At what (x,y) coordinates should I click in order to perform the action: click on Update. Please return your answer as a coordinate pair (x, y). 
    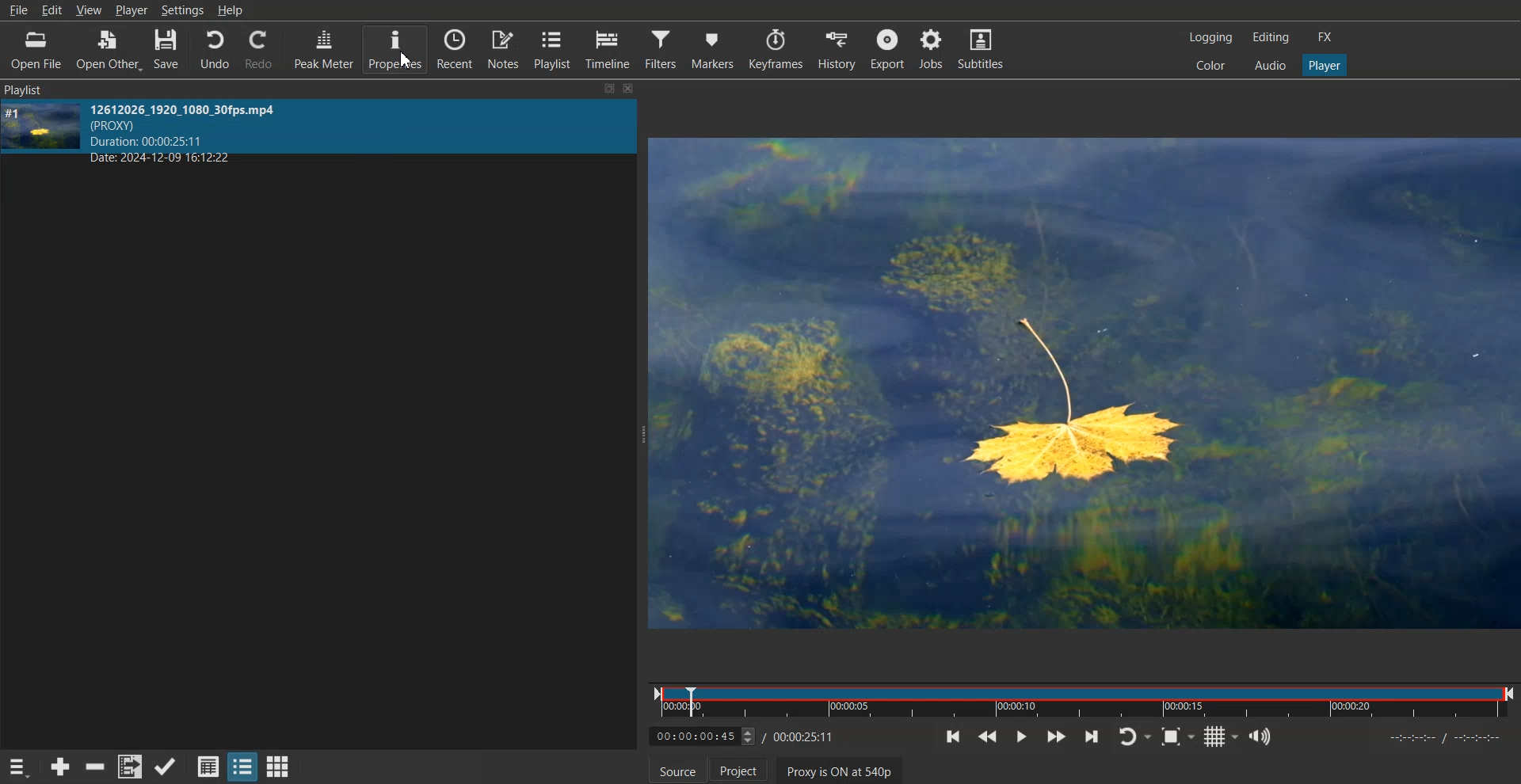
    Looking at the image, I should click on (166, 767).